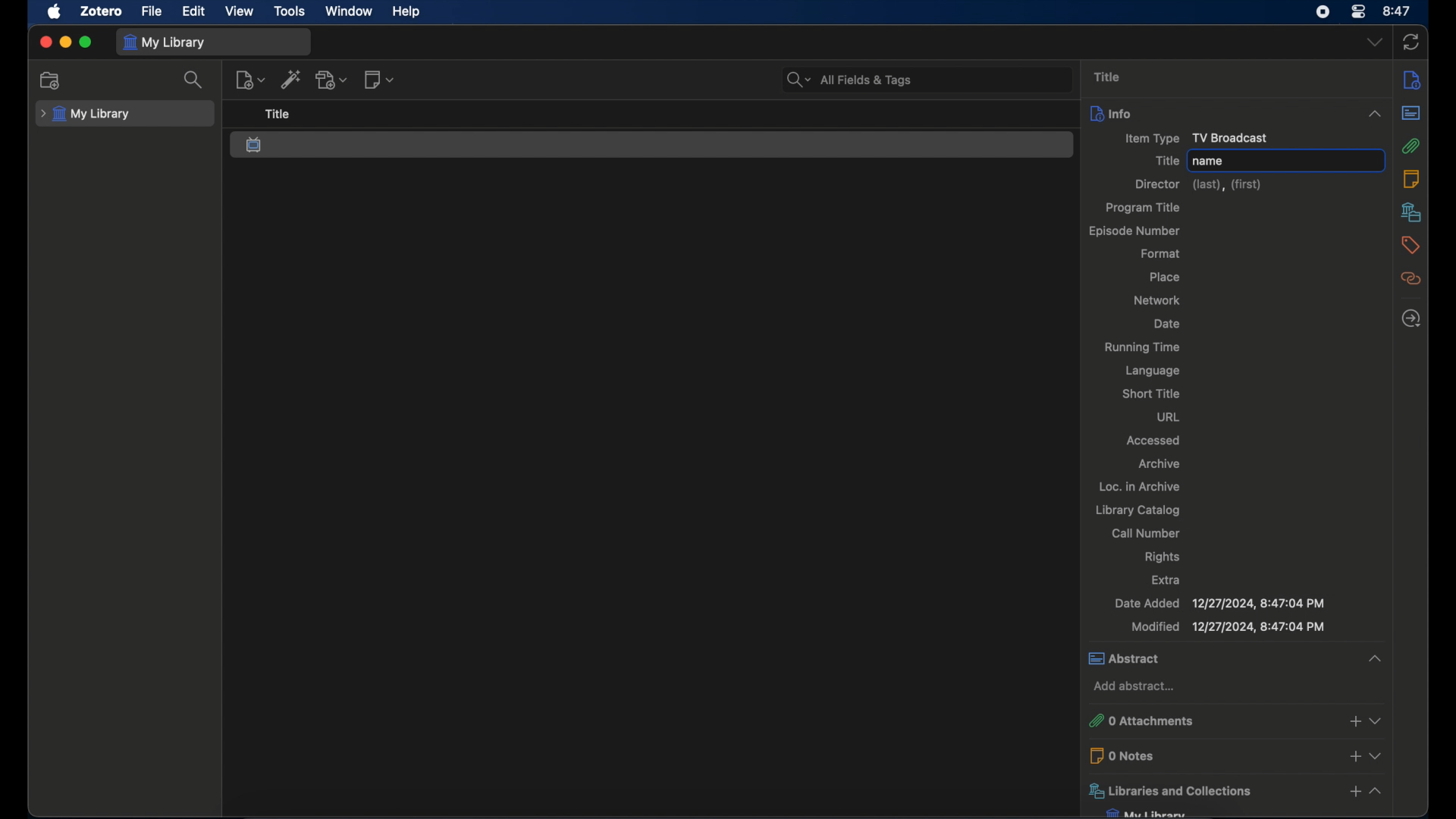 This screenshot has height=819, width=1456. What do you see at coordinates (1323, 12) in the screenshot?
I see `screen recorder` at bounding box center [1323, 12].